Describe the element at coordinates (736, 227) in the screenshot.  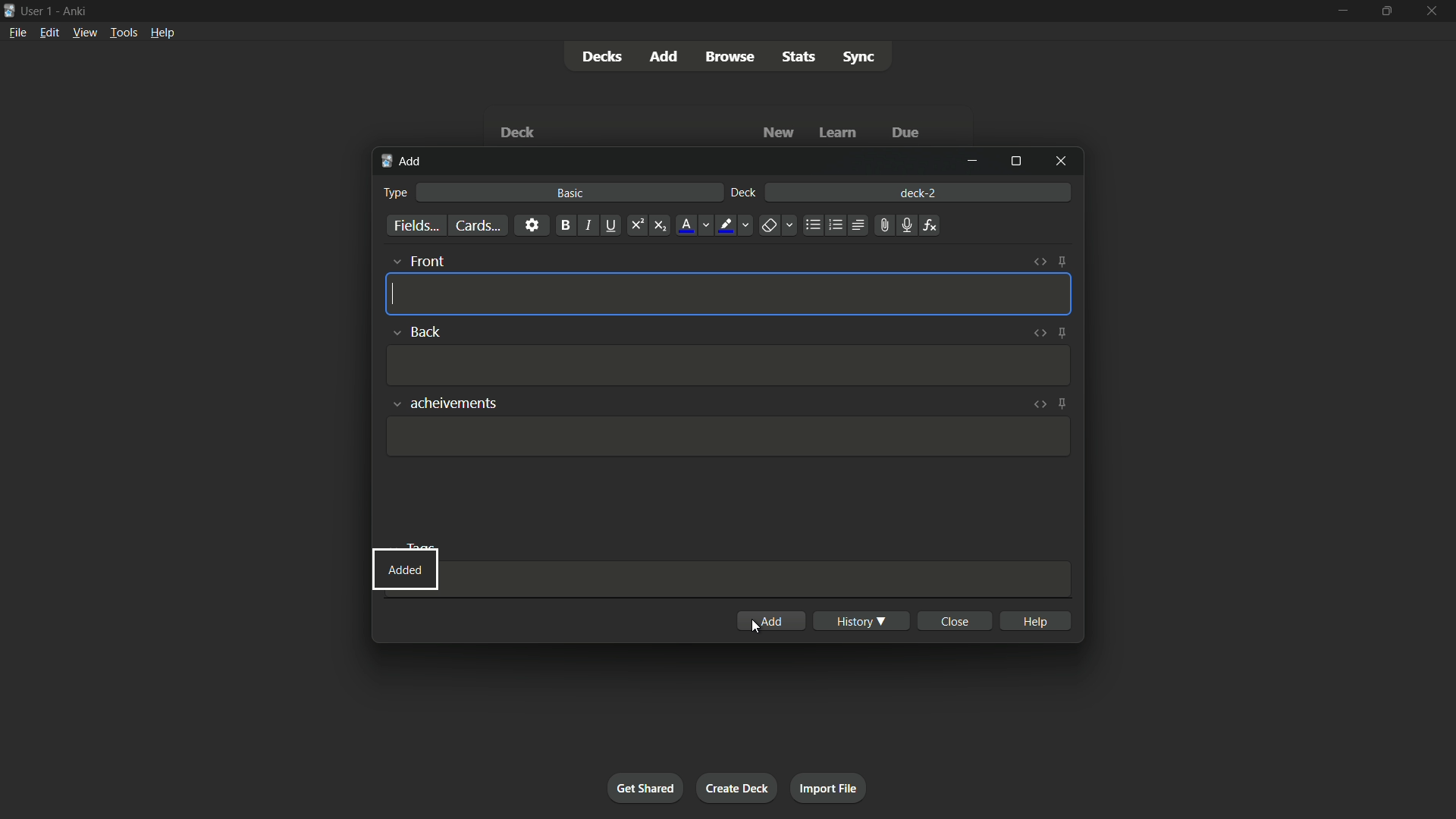
I see `text highlight` at that location.